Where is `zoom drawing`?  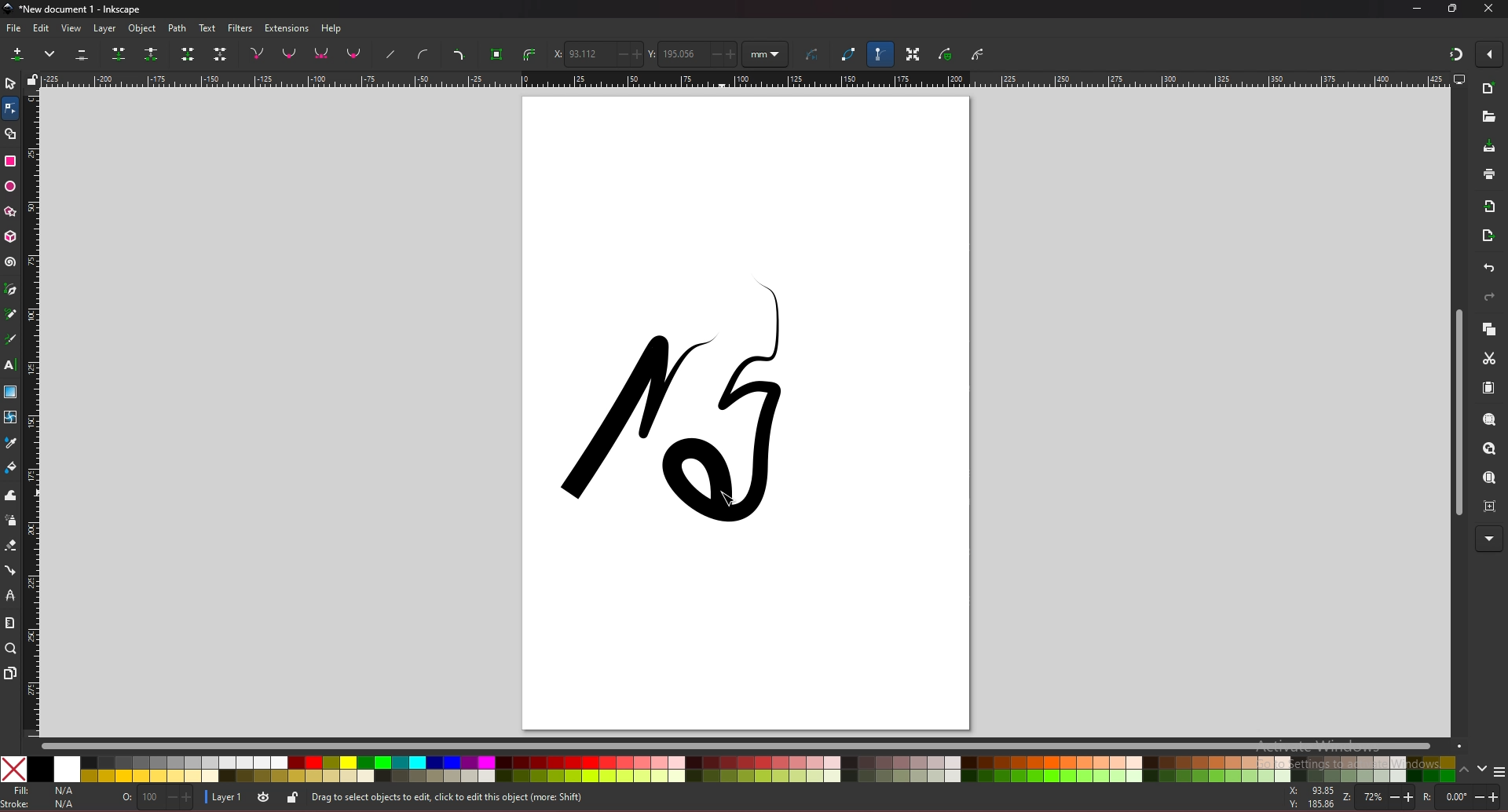
zoom drawing is located at coordinates (1489, 450).